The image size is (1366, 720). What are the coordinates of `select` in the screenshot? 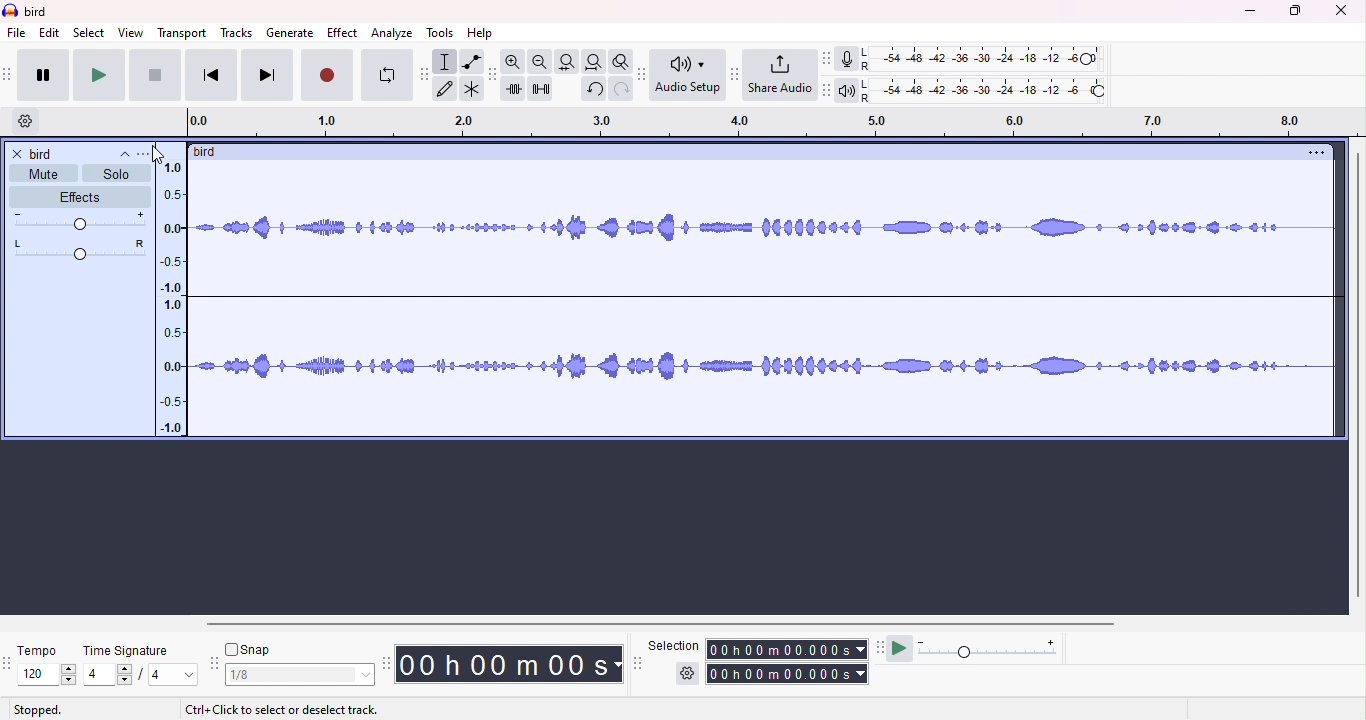 It's located at (91, 33).